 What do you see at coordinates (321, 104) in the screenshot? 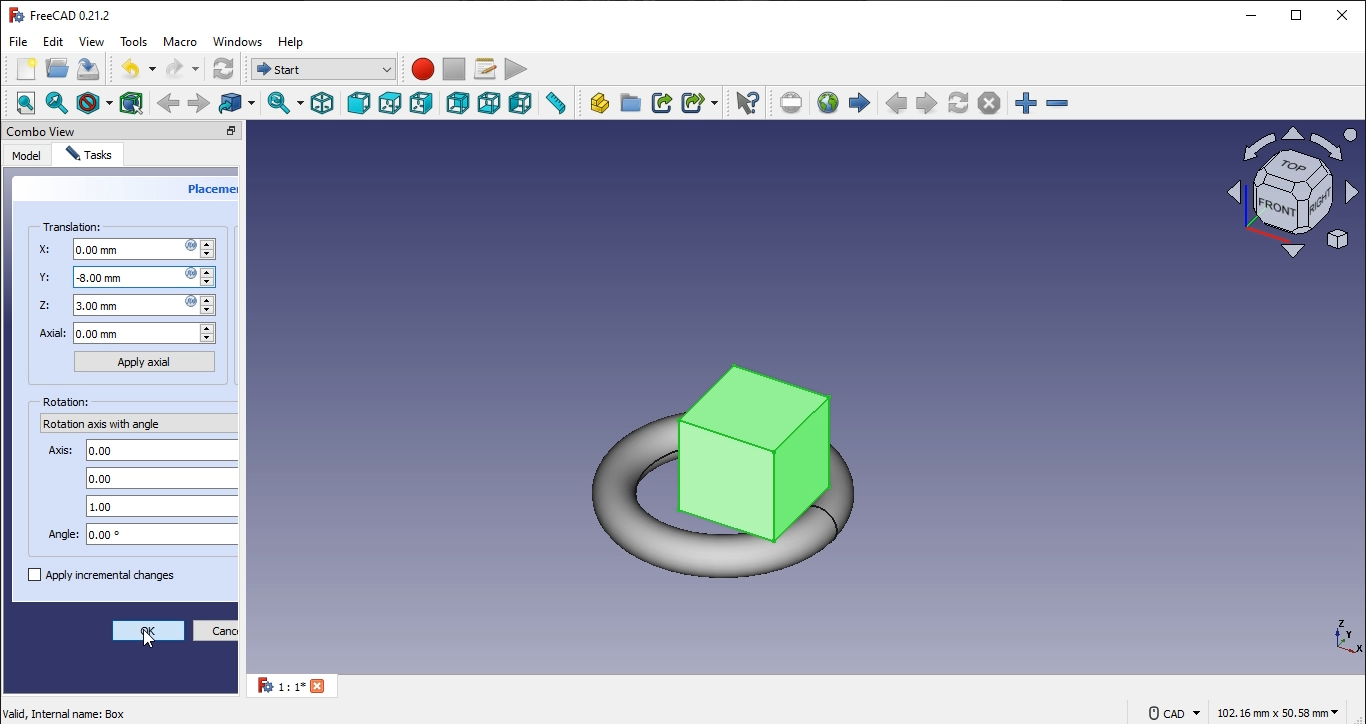
I see `isometric view` at bounding box center [321, 104].